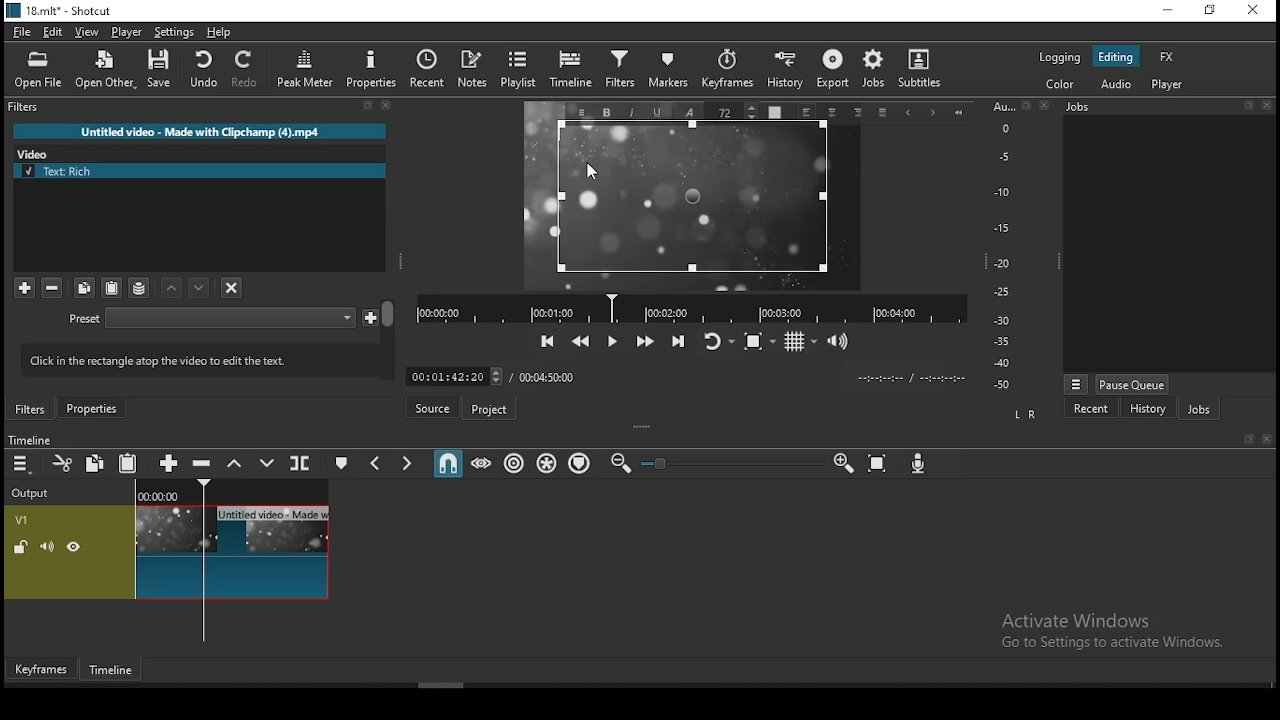 This screenshot has height=720, width=1280. What do you see at coordinates (235, 462) in the screenshot?
I see `lift` at bounding box center [235, 462].